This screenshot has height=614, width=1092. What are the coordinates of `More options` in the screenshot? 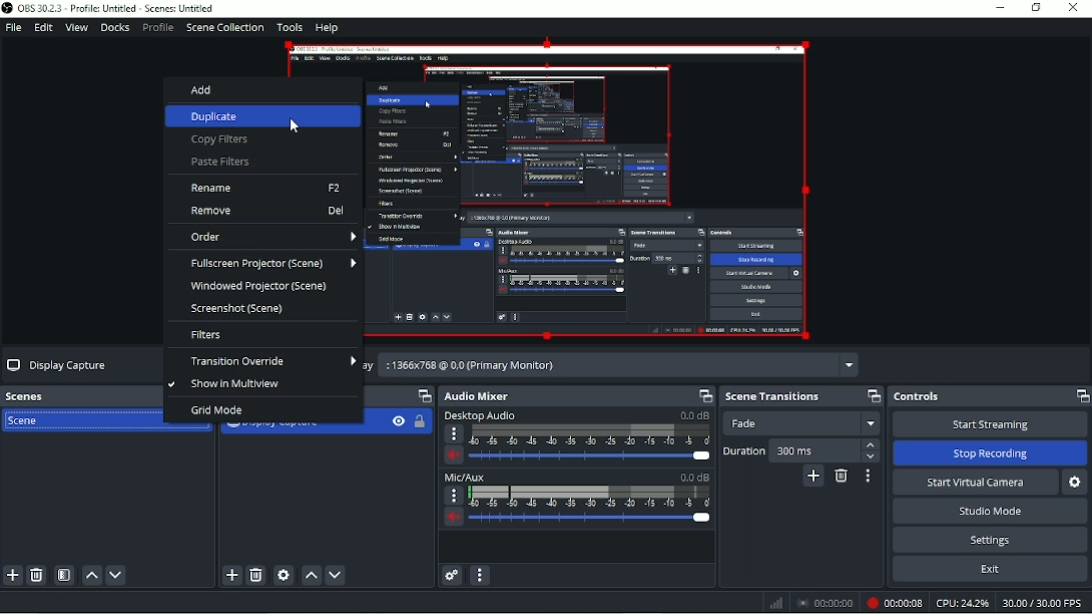 It's located at (454, 435).